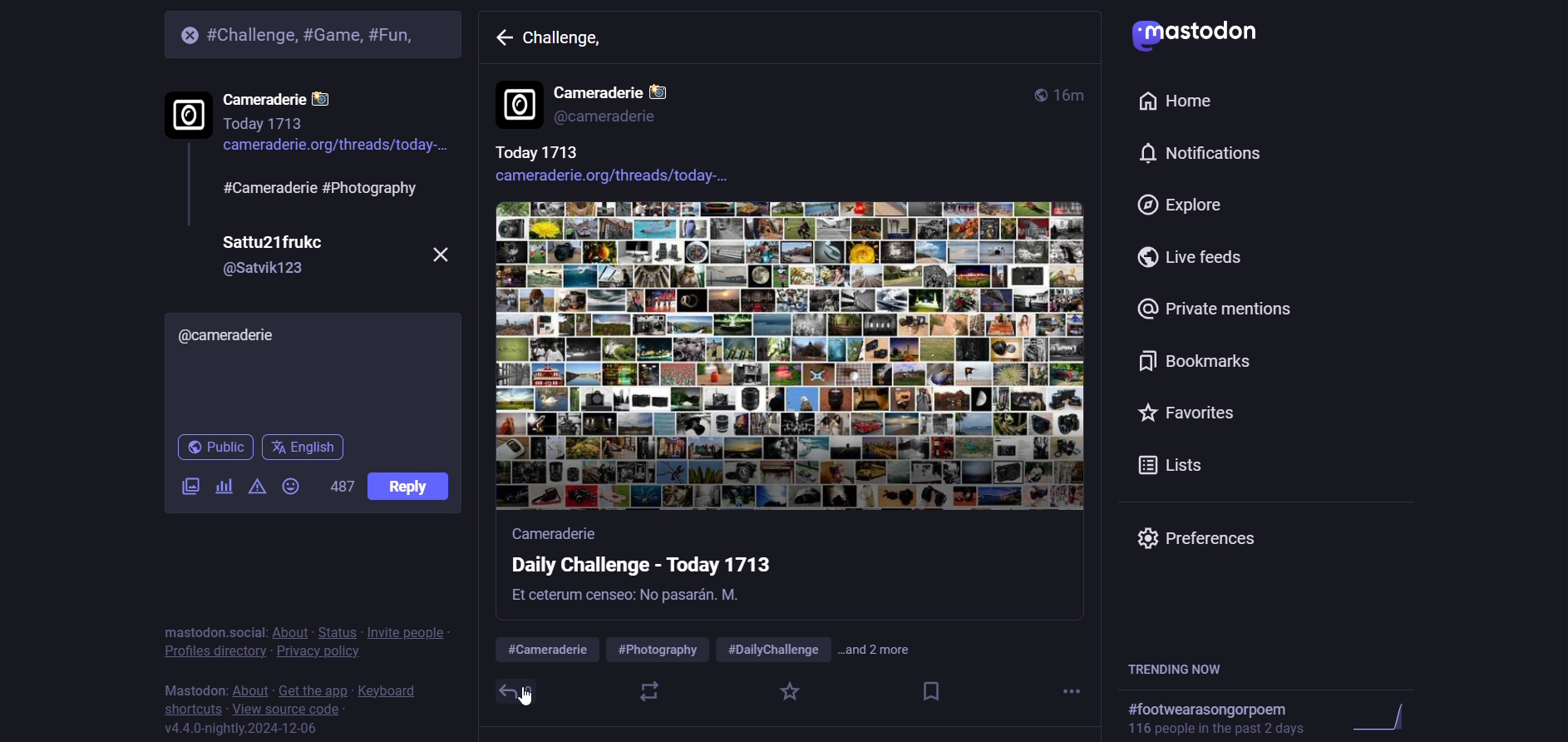  What do you see at coordinates (246, 729) in the screenshot?
I see `v4.4.0-nightly.2024-12-06` at bounding box center [246, 729].